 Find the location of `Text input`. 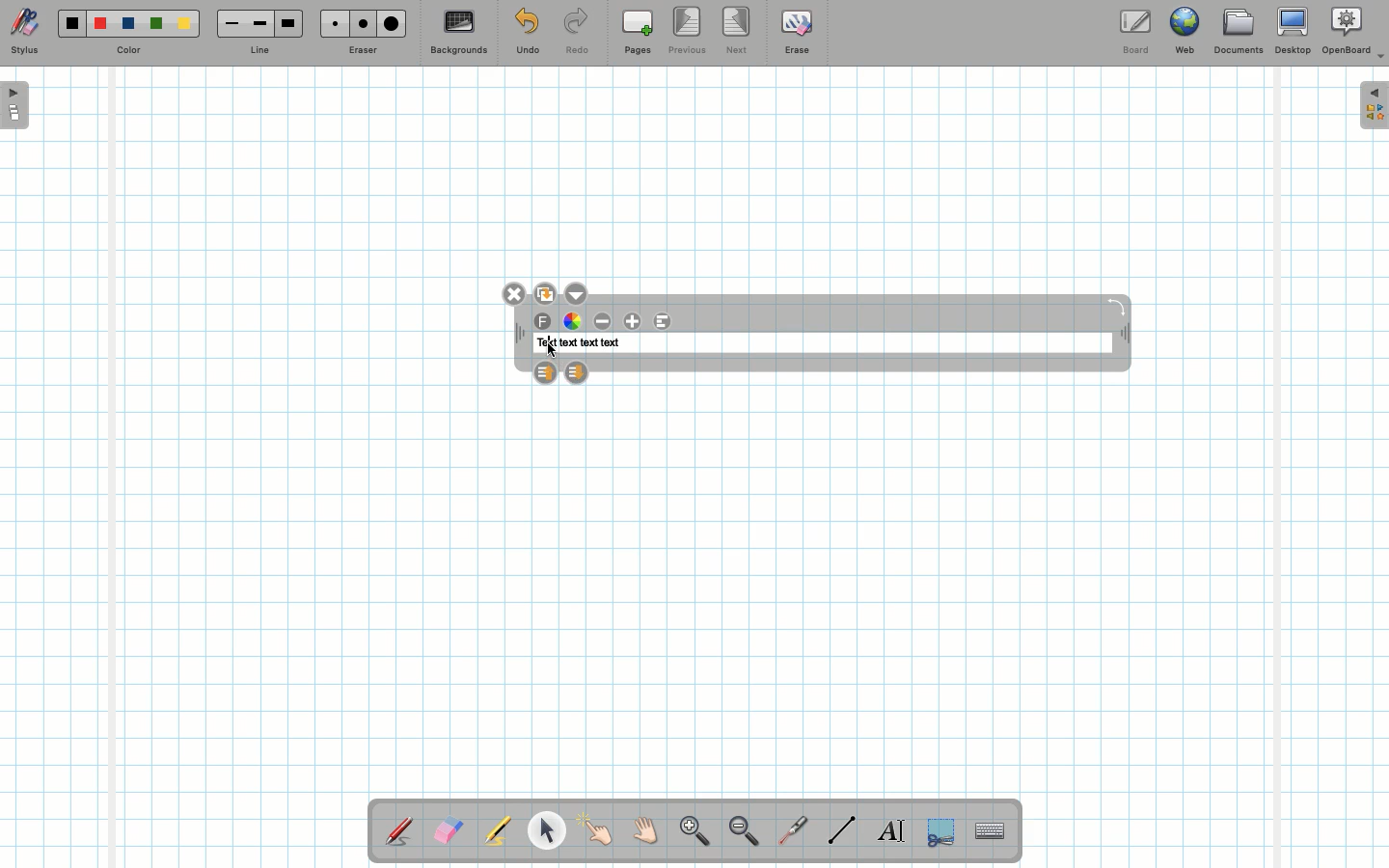

Text input is located at coordinates (991, 826).